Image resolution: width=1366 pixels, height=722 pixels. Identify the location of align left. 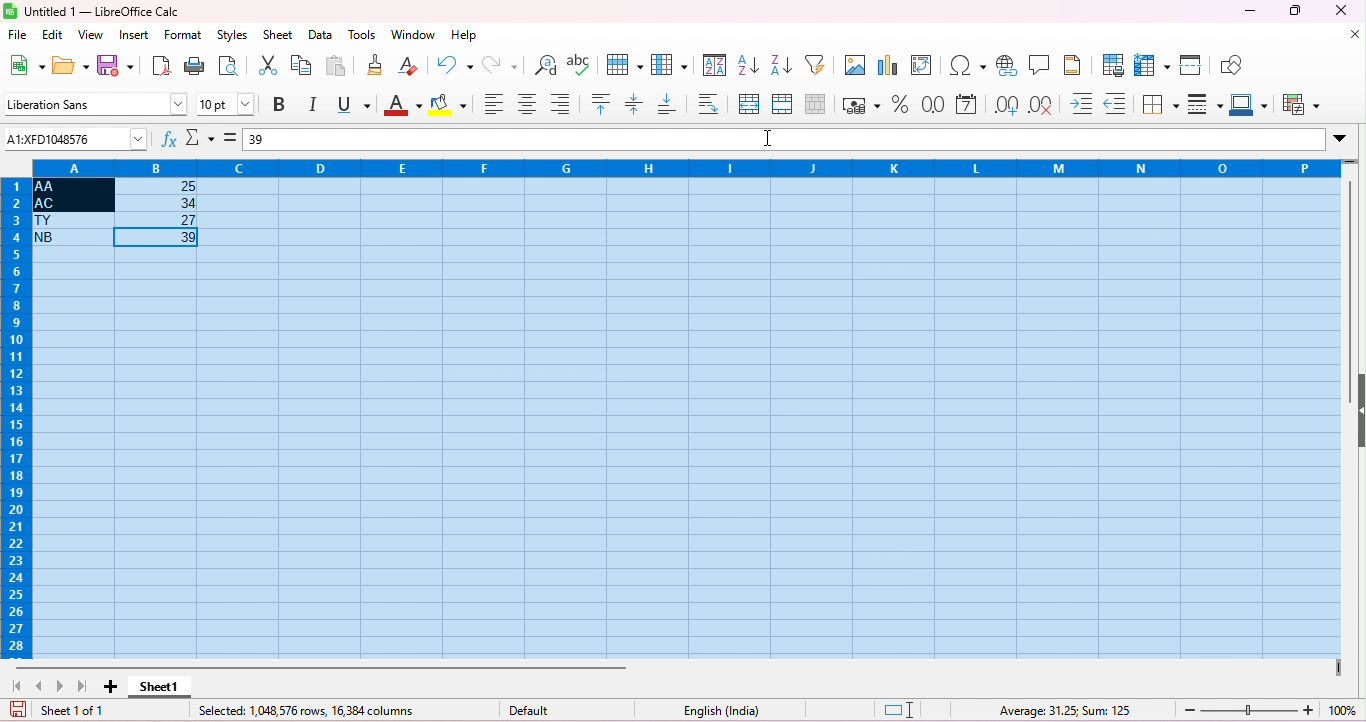
(494, 106).